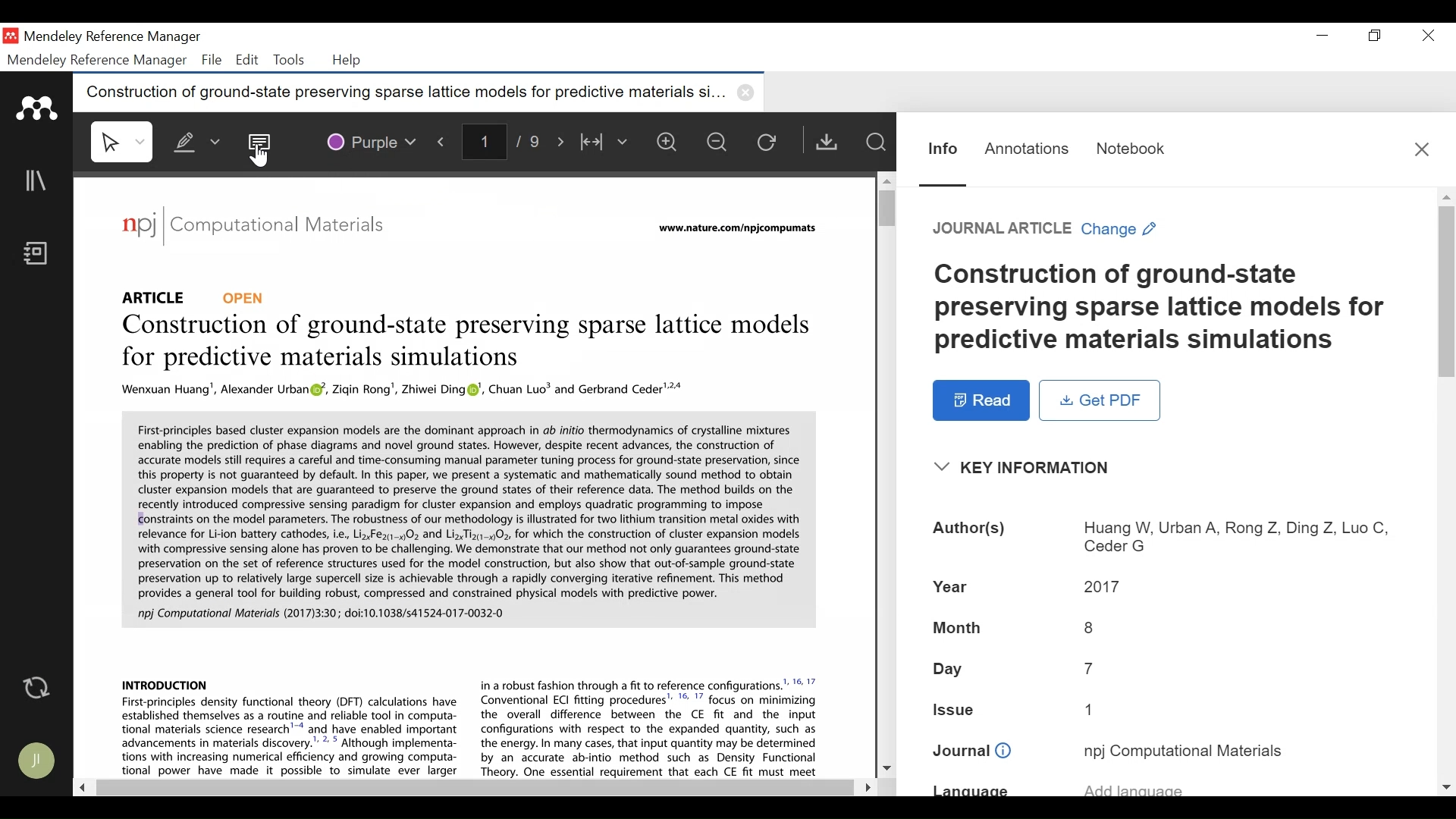 Image resolution: width=1456 pixels, height=819 pixels. I want to click on Title: Title: Construction of ground-state preserving sparse lattice models for predictive materials simulations, so click(1168, 309).